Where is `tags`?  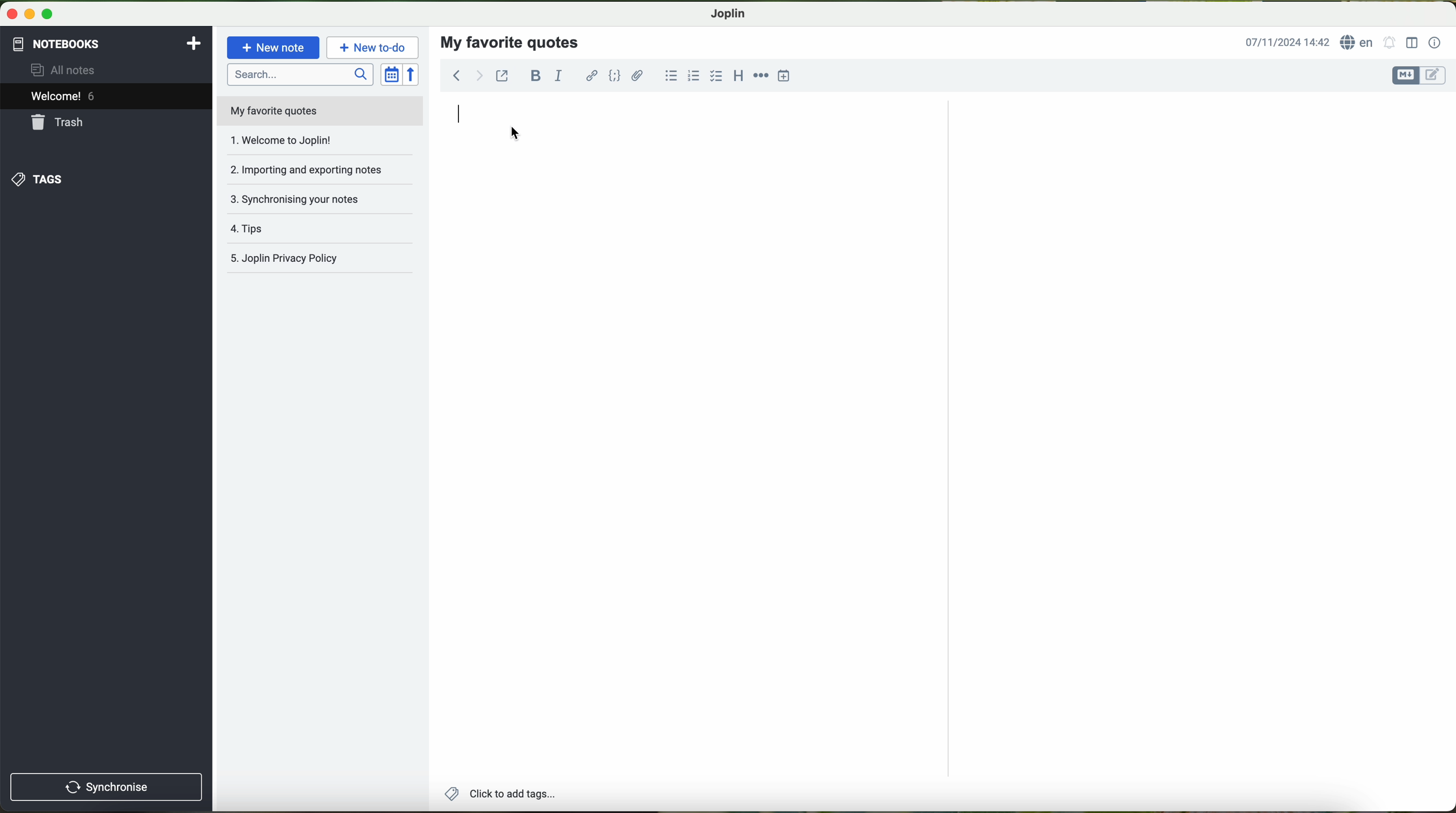 tags is located at coordinates (318, 228).